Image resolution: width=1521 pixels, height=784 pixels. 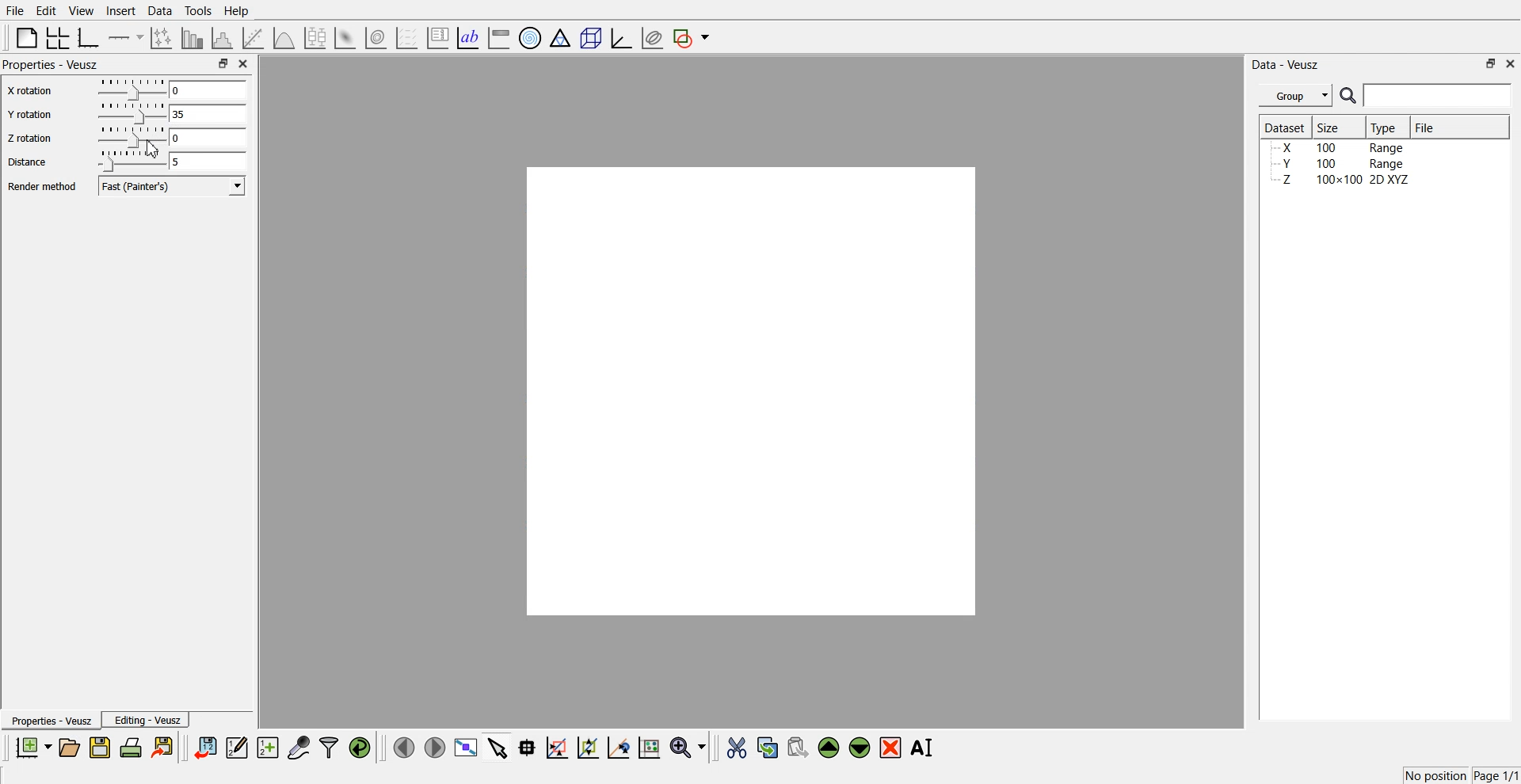 What do you see at coordinates (45, 11) in the screenshot?
I see `Edit` at bounding box center [45, 11].